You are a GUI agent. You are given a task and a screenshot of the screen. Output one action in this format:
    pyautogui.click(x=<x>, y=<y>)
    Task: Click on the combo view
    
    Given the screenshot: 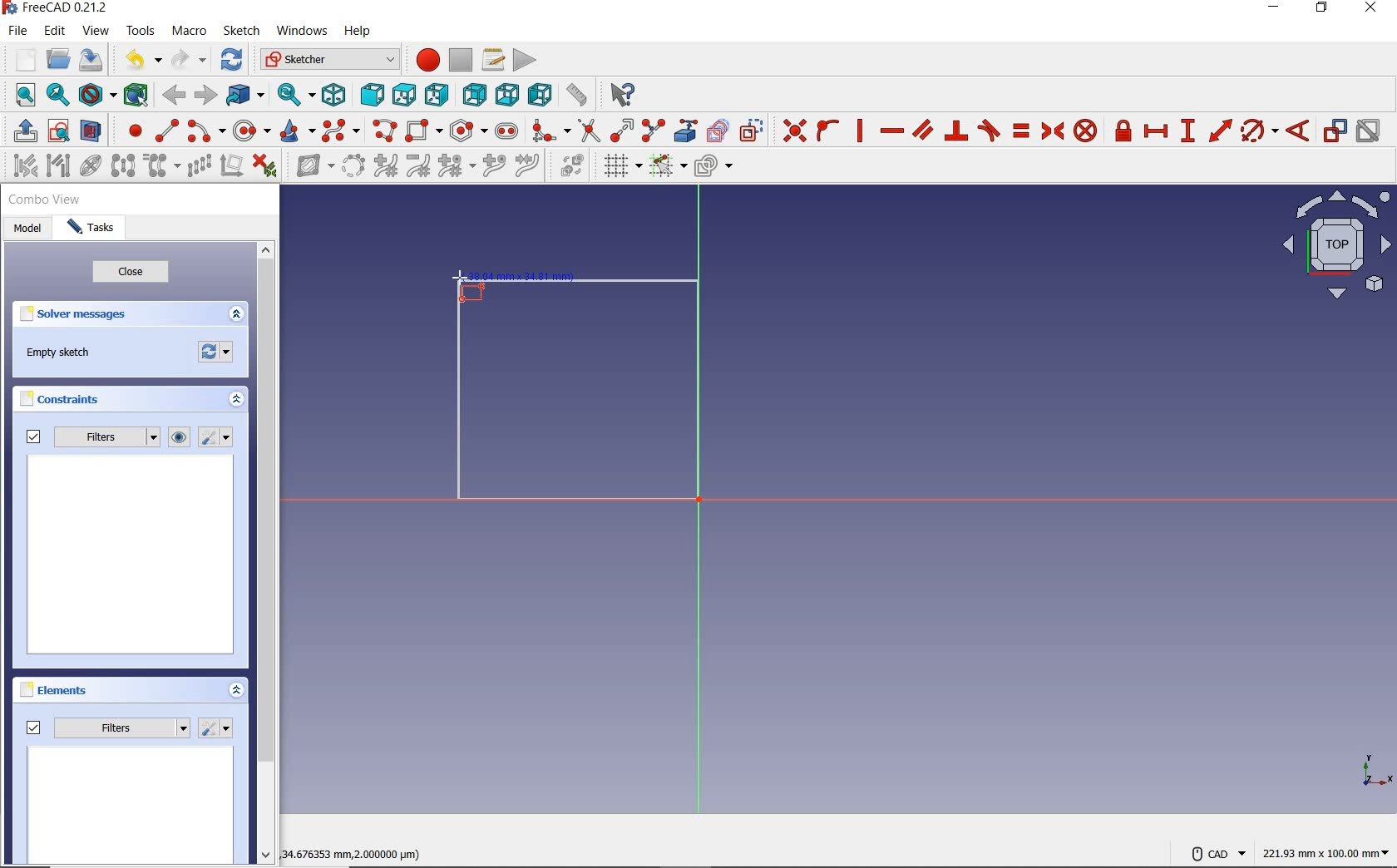 What is the action you would take?
    pyautogui.click(x=45, y=202)
    